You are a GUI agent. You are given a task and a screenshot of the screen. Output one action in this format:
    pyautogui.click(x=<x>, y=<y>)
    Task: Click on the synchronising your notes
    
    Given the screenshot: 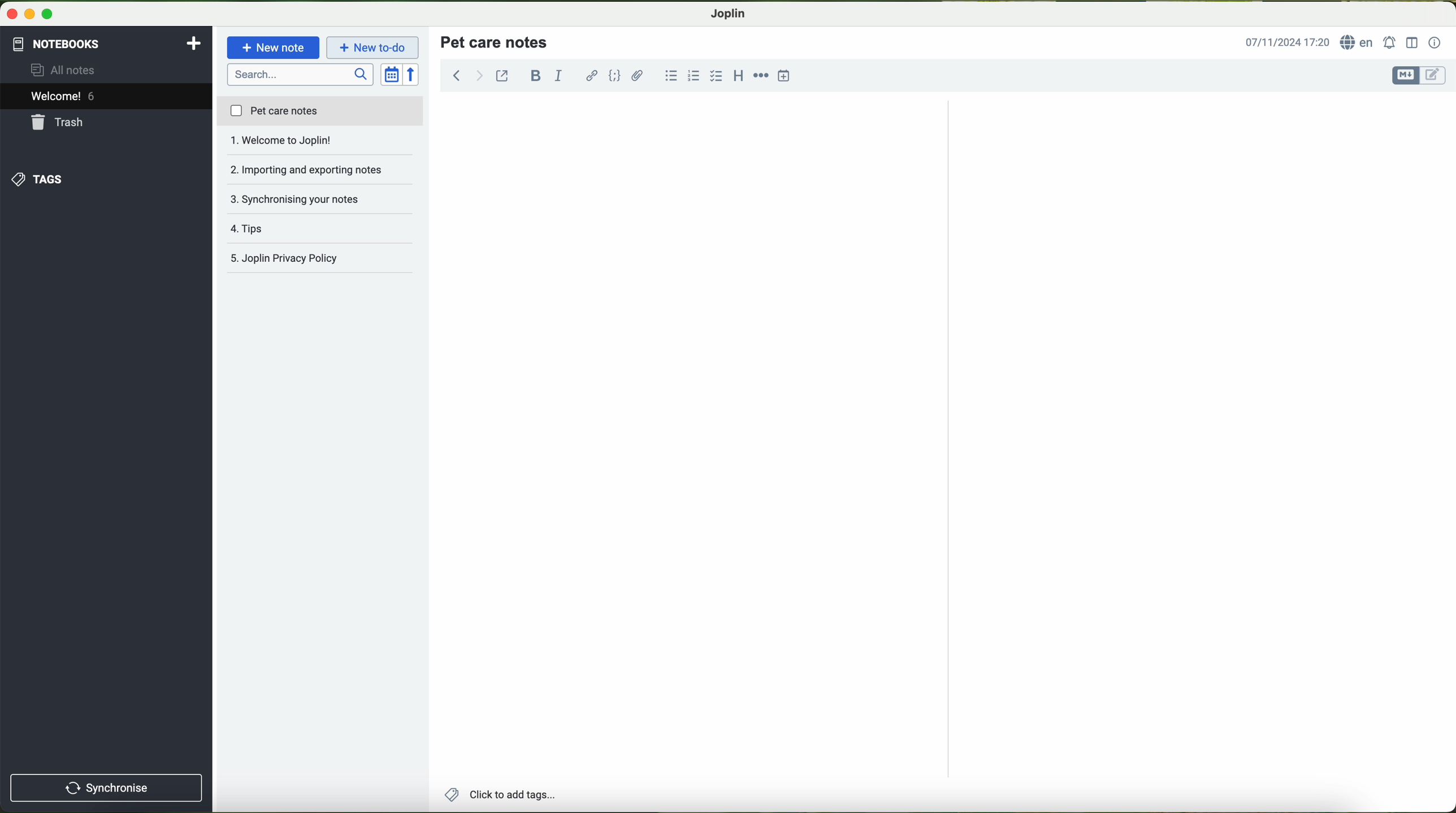 What is the action you would take?
    pyautogui.click(x=321, y=171)
    